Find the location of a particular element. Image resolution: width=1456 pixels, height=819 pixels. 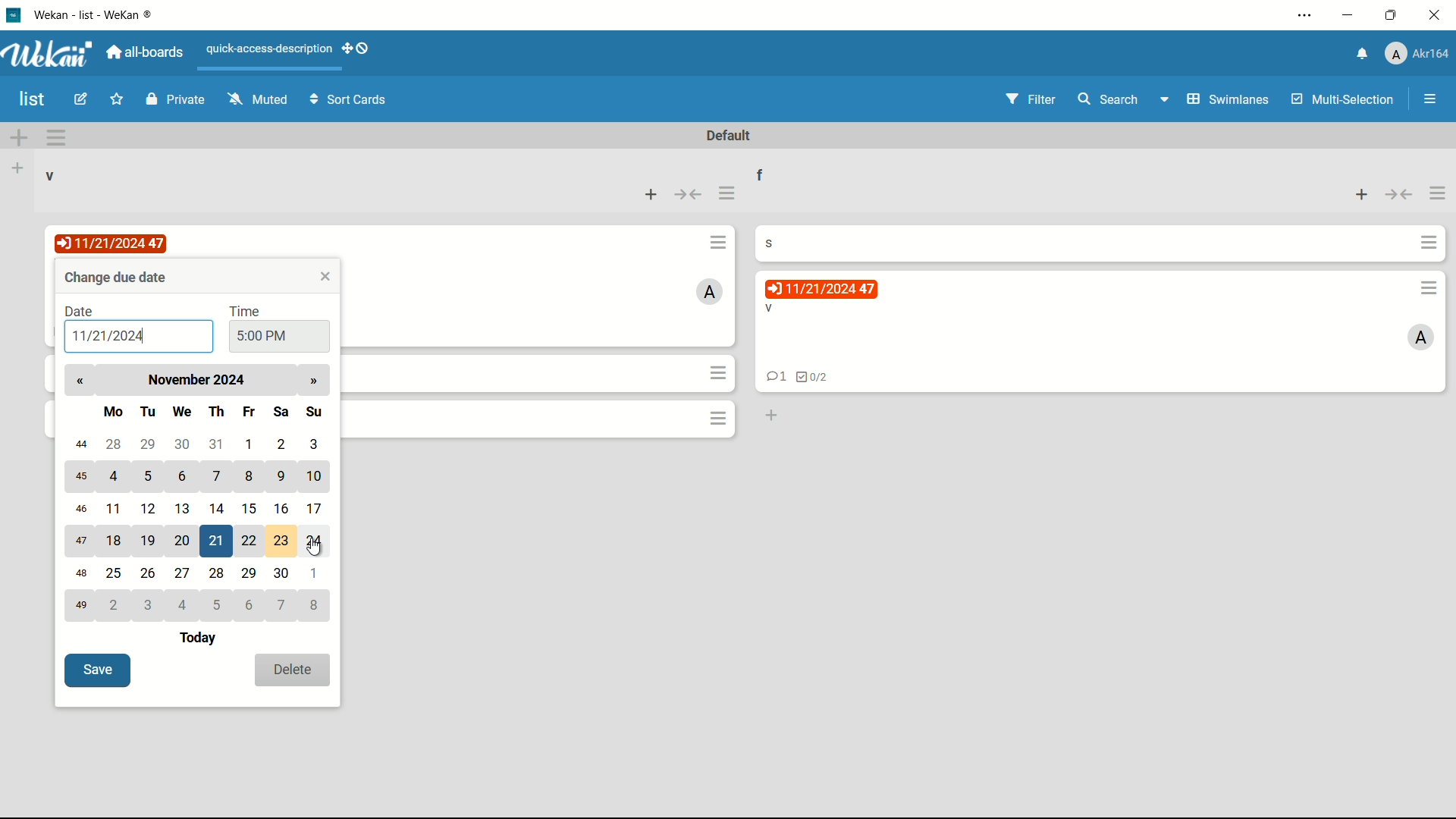

7 is located at coordinates (218, 478).